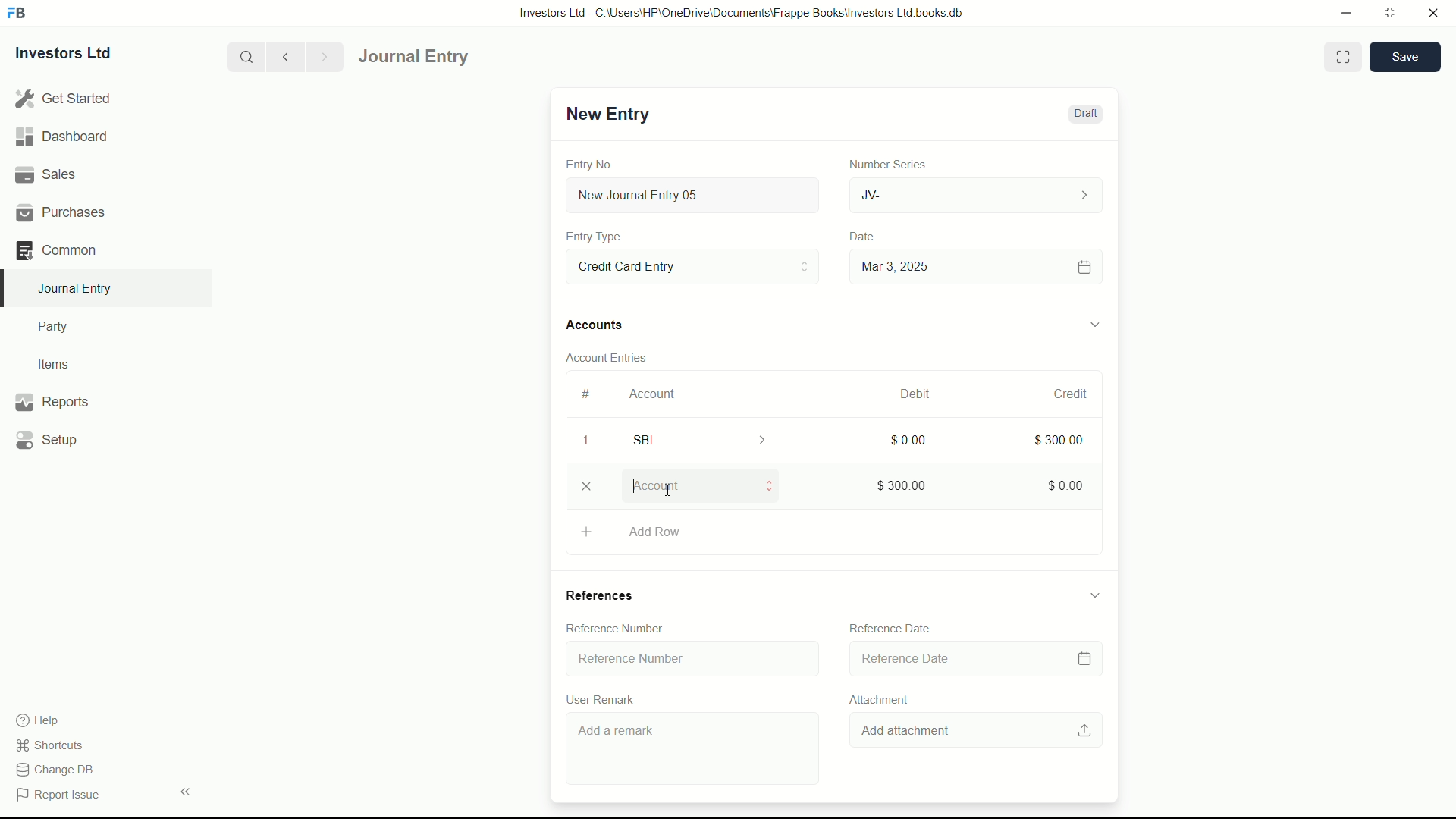 This screenshot has height=819, width=1456. What do you see at coordinates (53, 745) in the screenshot?
I see `shortcuts` at bounding box center [53, 745].